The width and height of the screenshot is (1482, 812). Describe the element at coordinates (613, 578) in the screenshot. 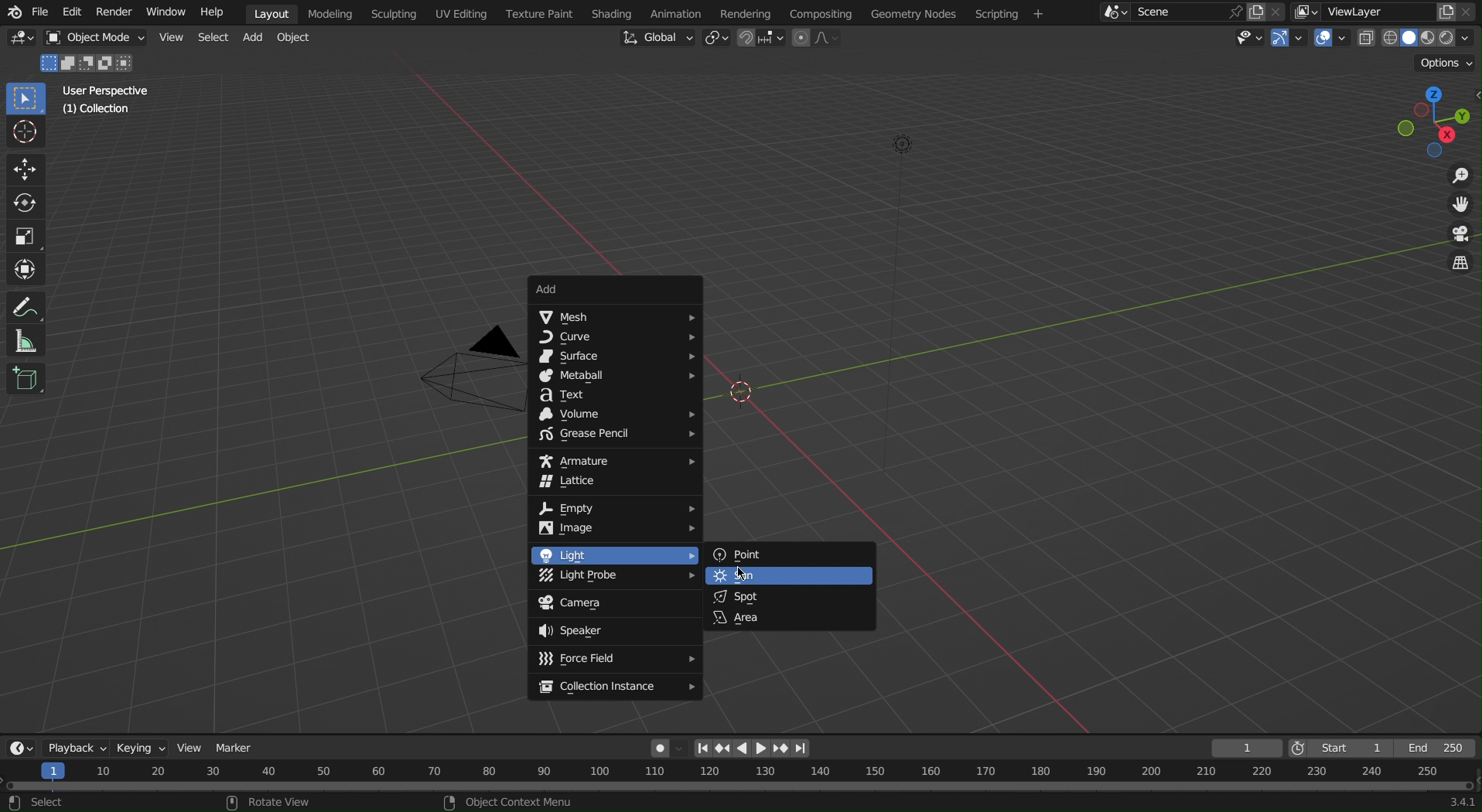

I see `Light Probe` at that location.